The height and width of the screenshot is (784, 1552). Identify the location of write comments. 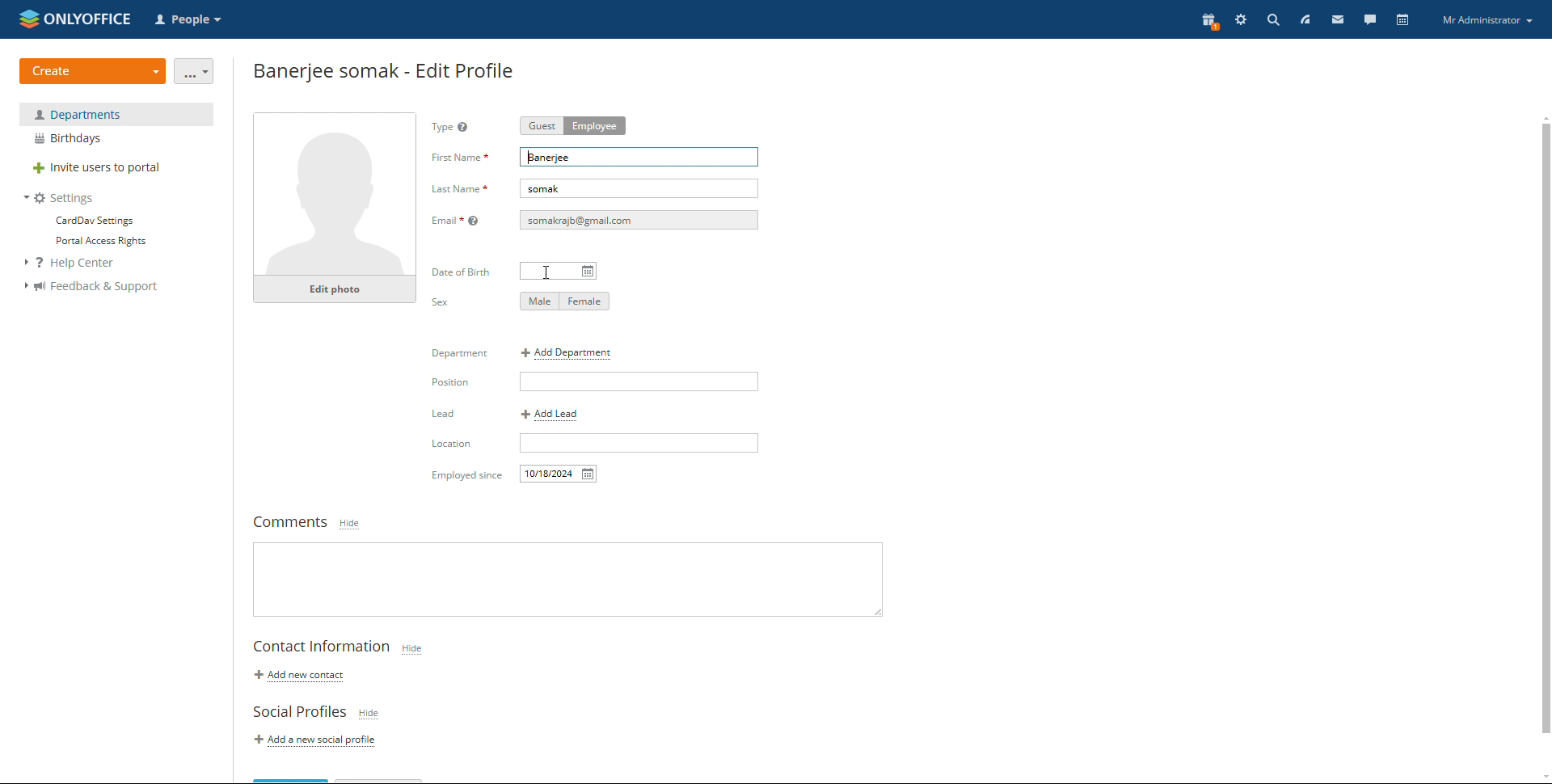
(567, 580).